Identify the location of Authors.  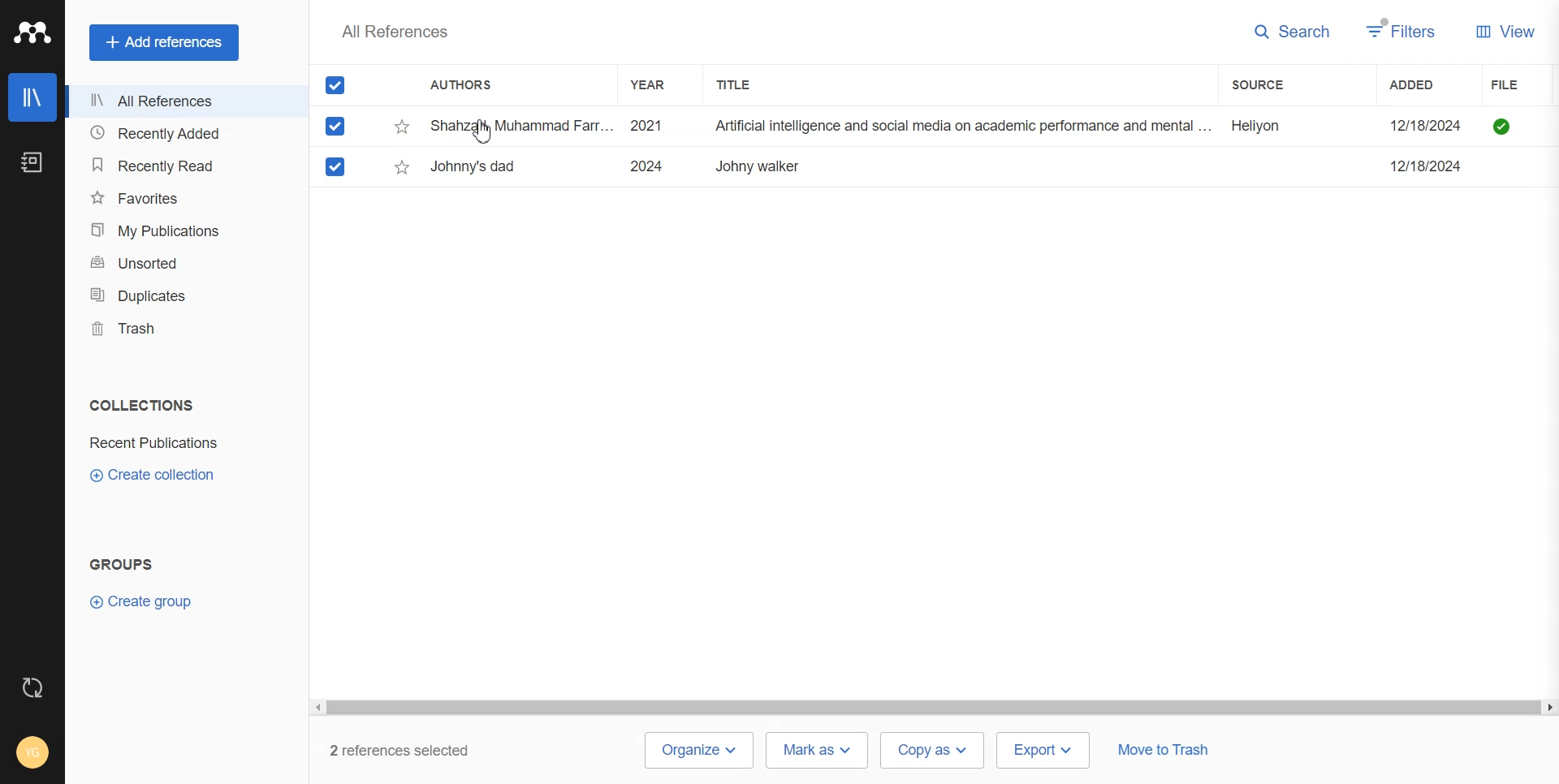
(469, 86).